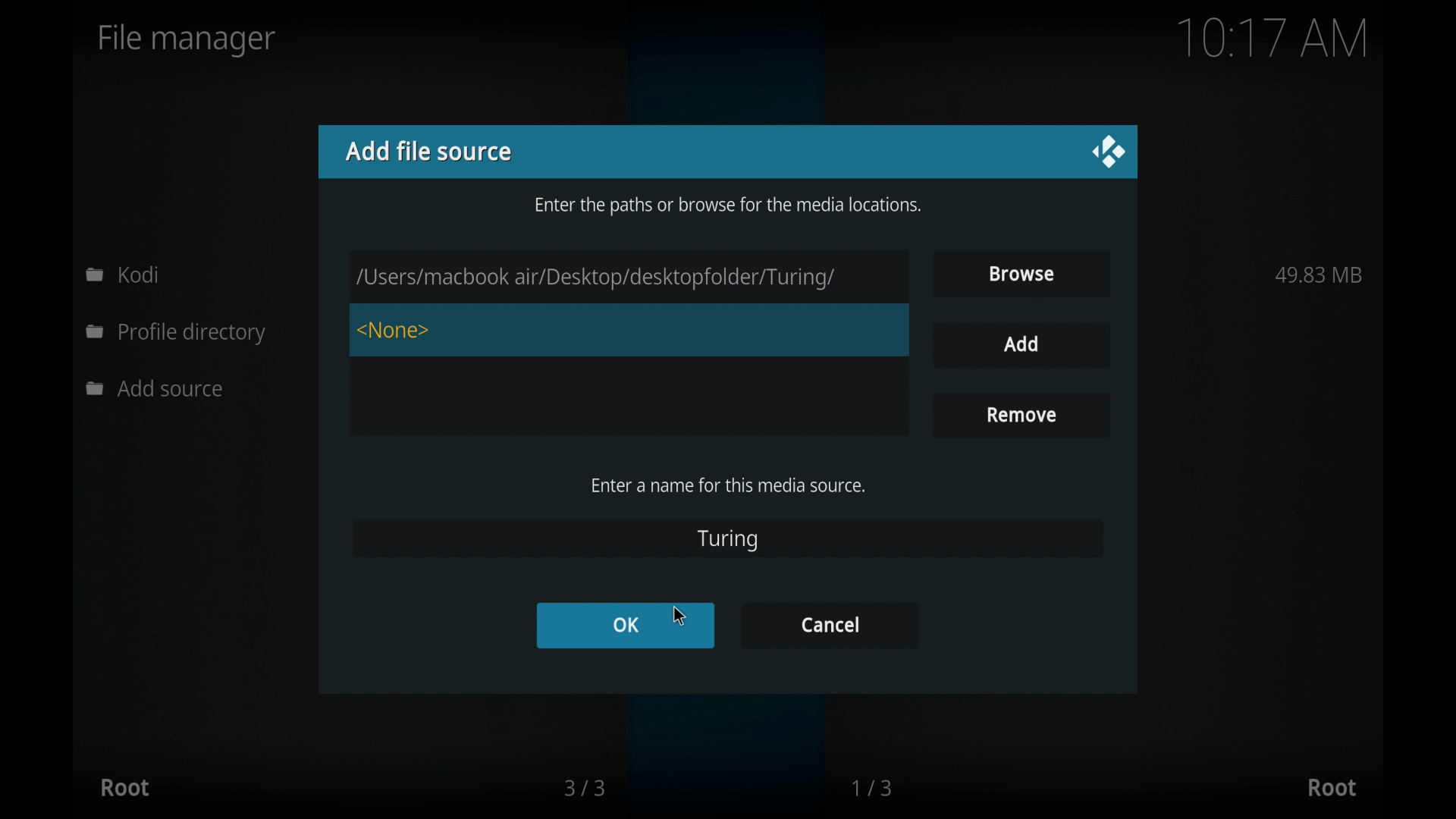  What do you see at coordinates (1273, 38) in the screenshot?
I see `10.17 am` at bounding box center [1273, 38].